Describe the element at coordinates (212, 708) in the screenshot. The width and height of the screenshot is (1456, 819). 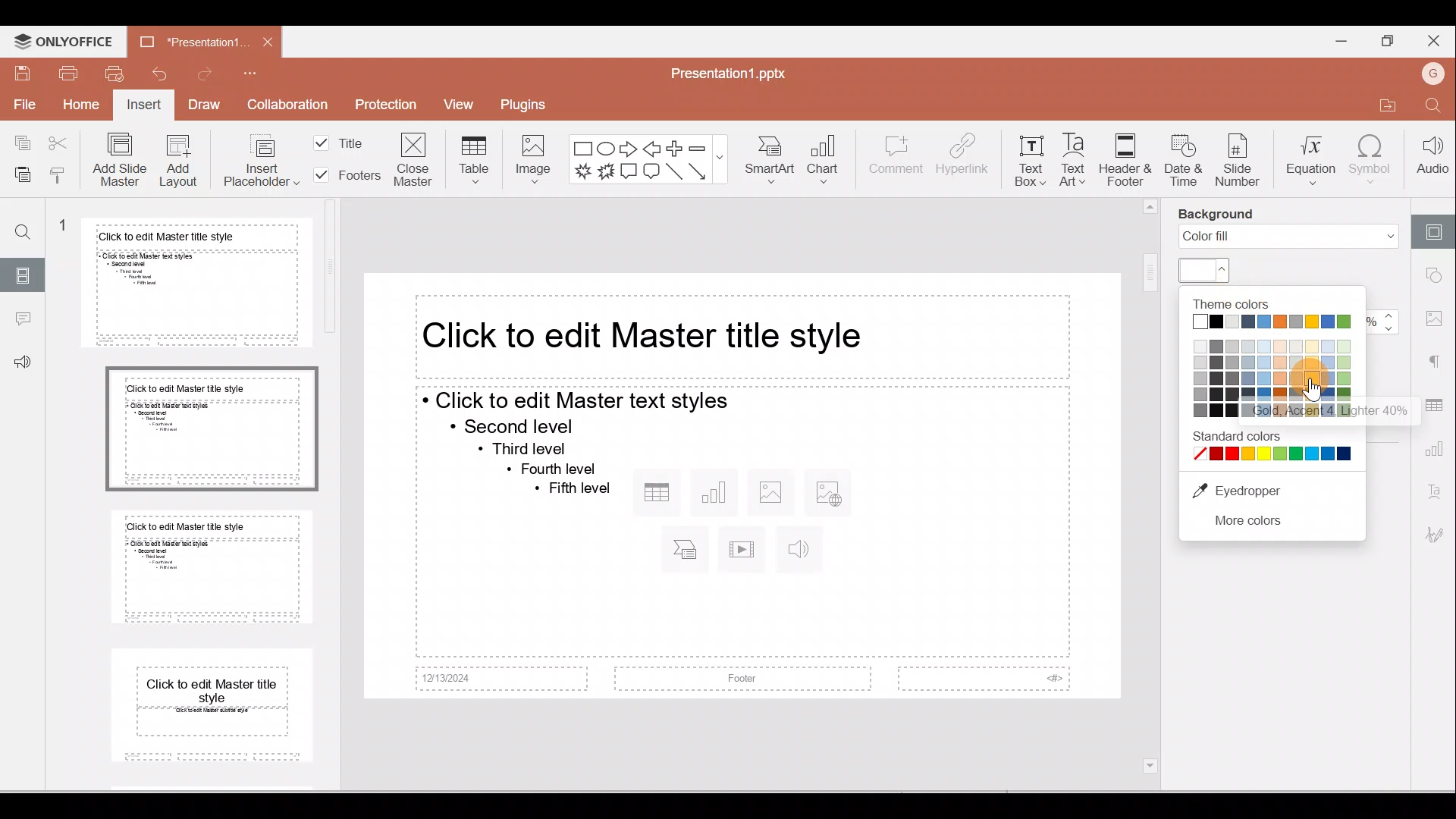
I see `Master slide 4` at that location.